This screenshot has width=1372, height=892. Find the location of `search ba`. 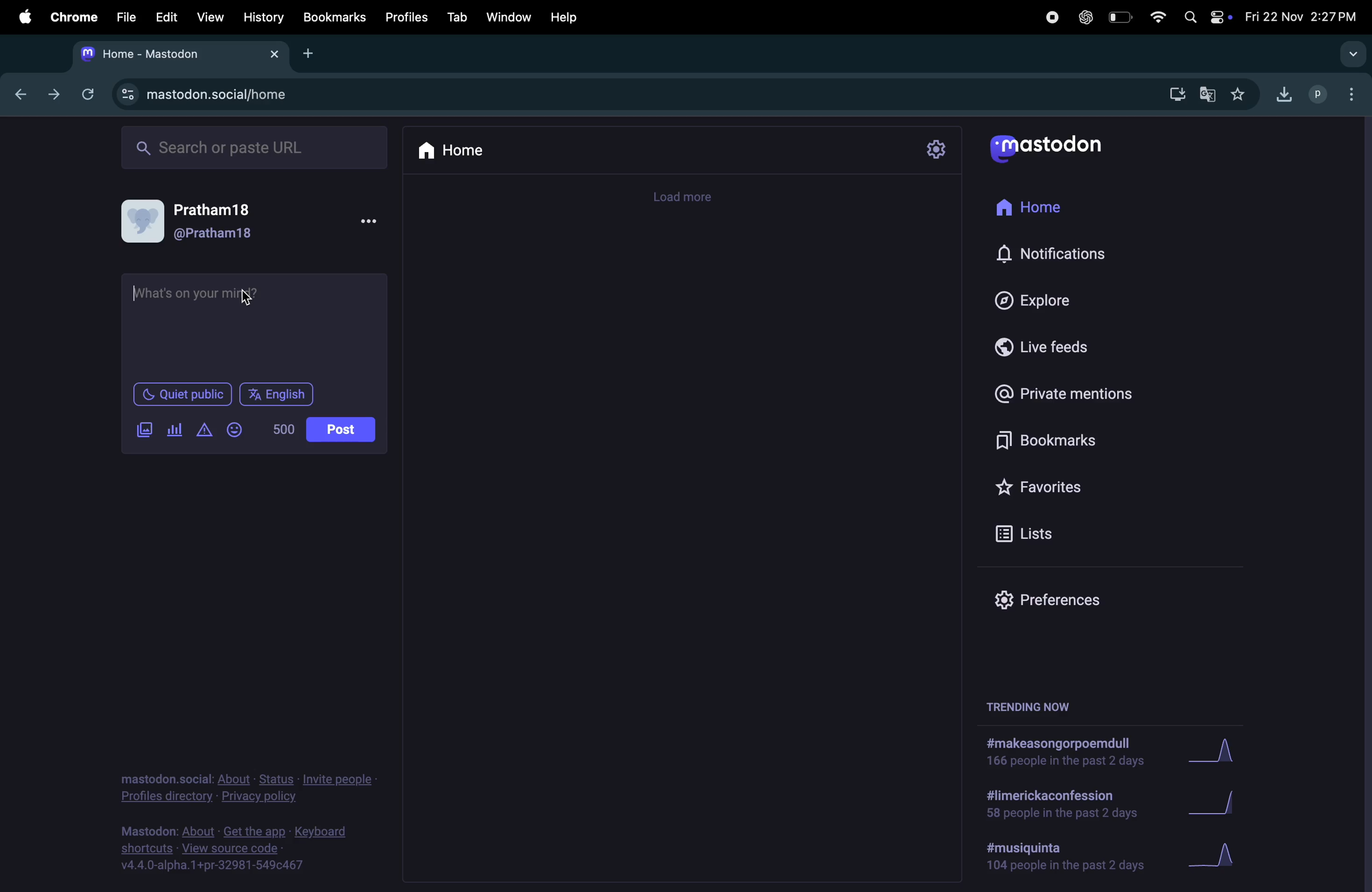

search ba is located at coordinates (253, 147).